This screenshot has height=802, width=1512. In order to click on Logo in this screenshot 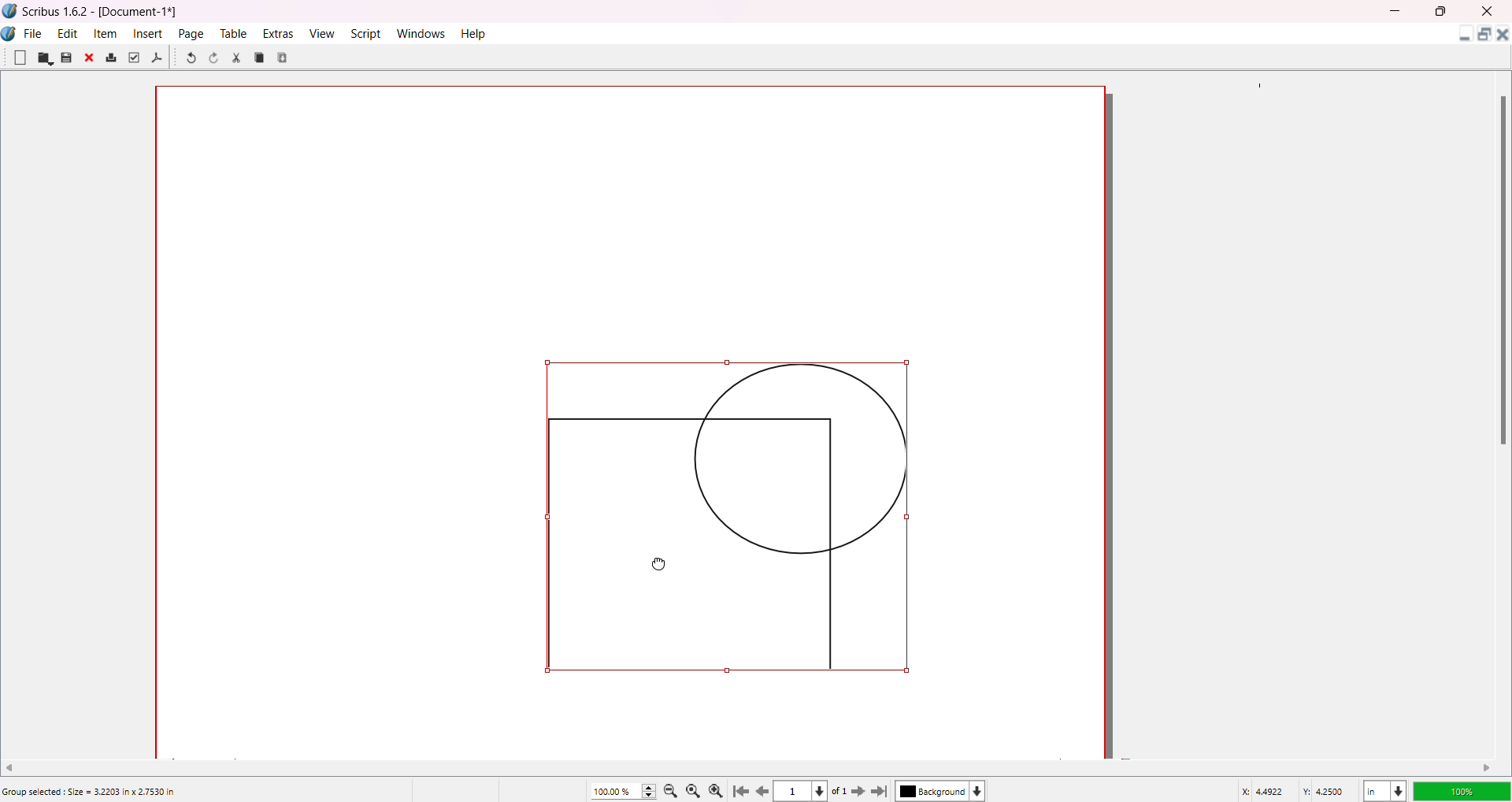, I will do `click(11, 34)`.